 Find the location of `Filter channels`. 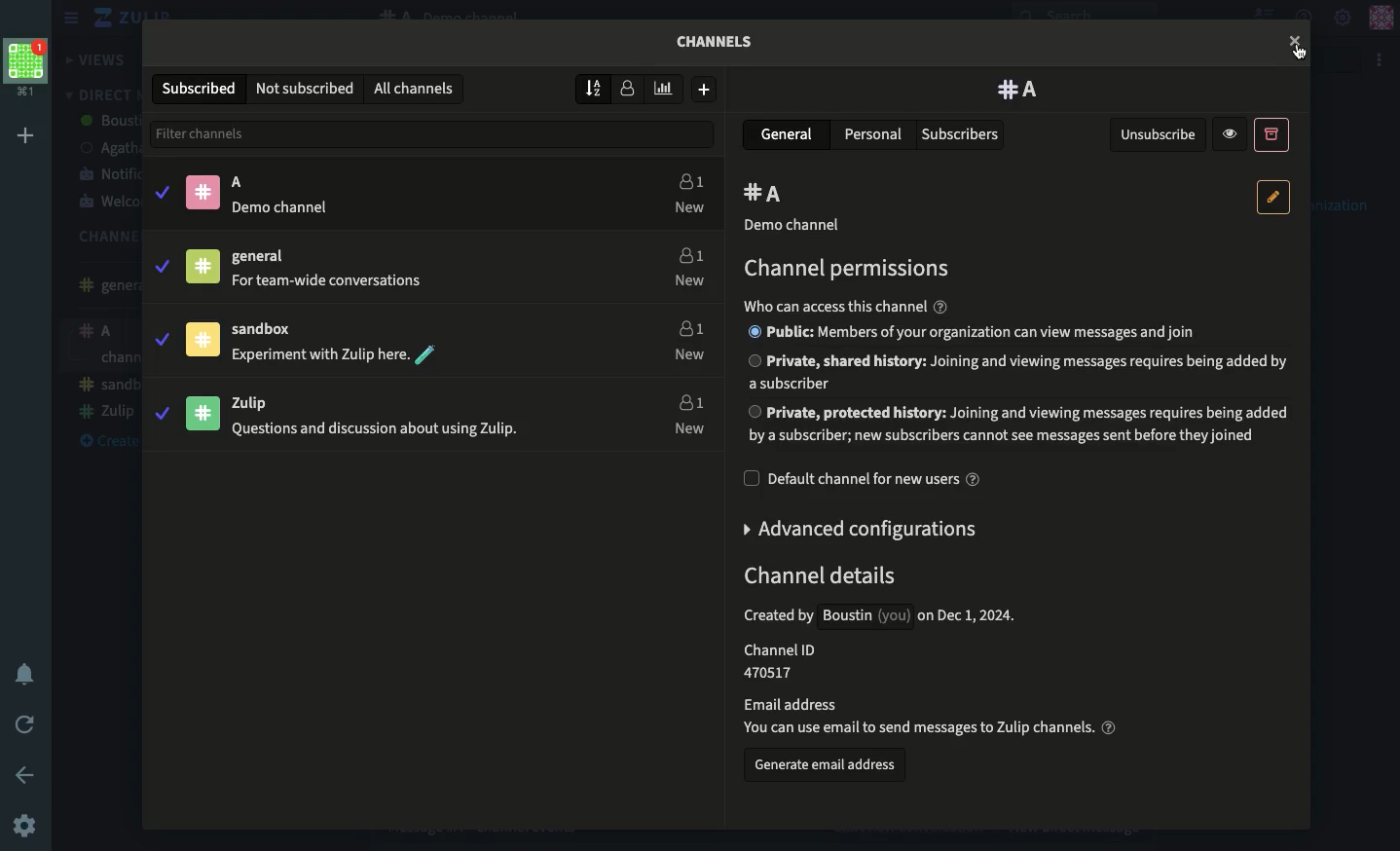

Filter channels is located at coordinates (436, 133).